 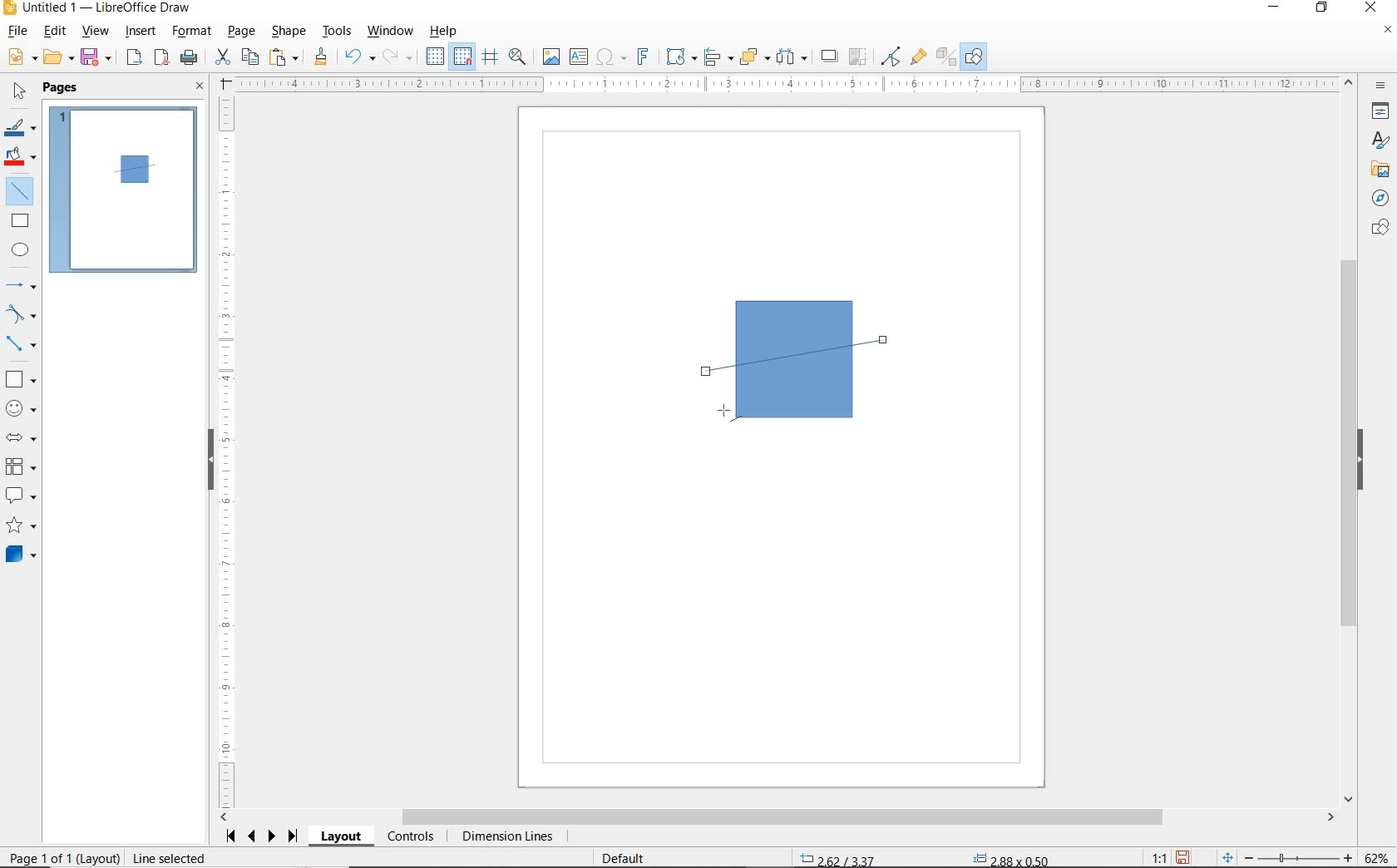 I want to click on WINDOW, so click(x=391, y=32).